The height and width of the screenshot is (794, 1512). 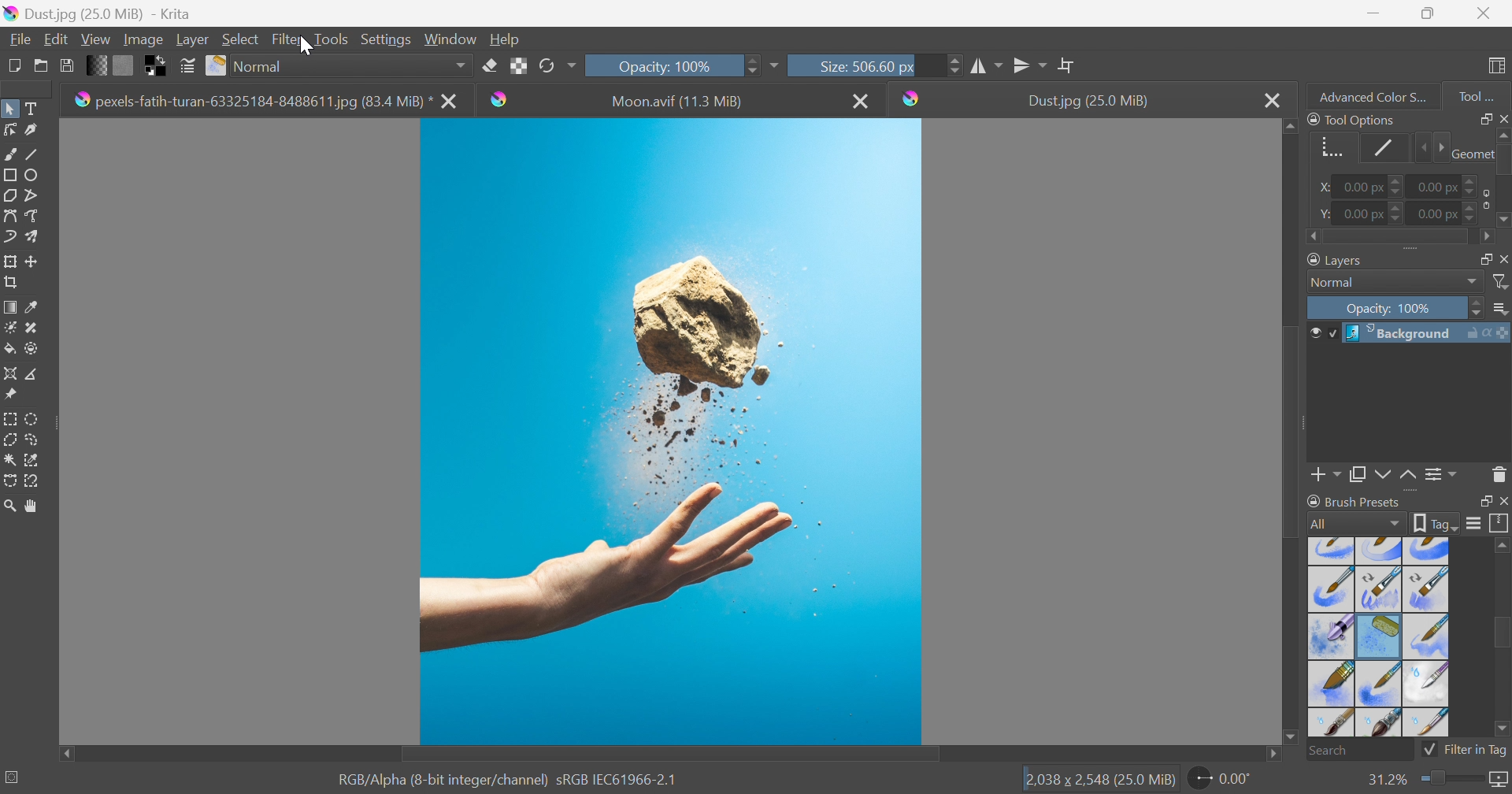 What do you see at coordinates (1337, 283) in the screenshot?
I see `Normal` at bounding box center [1337, 283].